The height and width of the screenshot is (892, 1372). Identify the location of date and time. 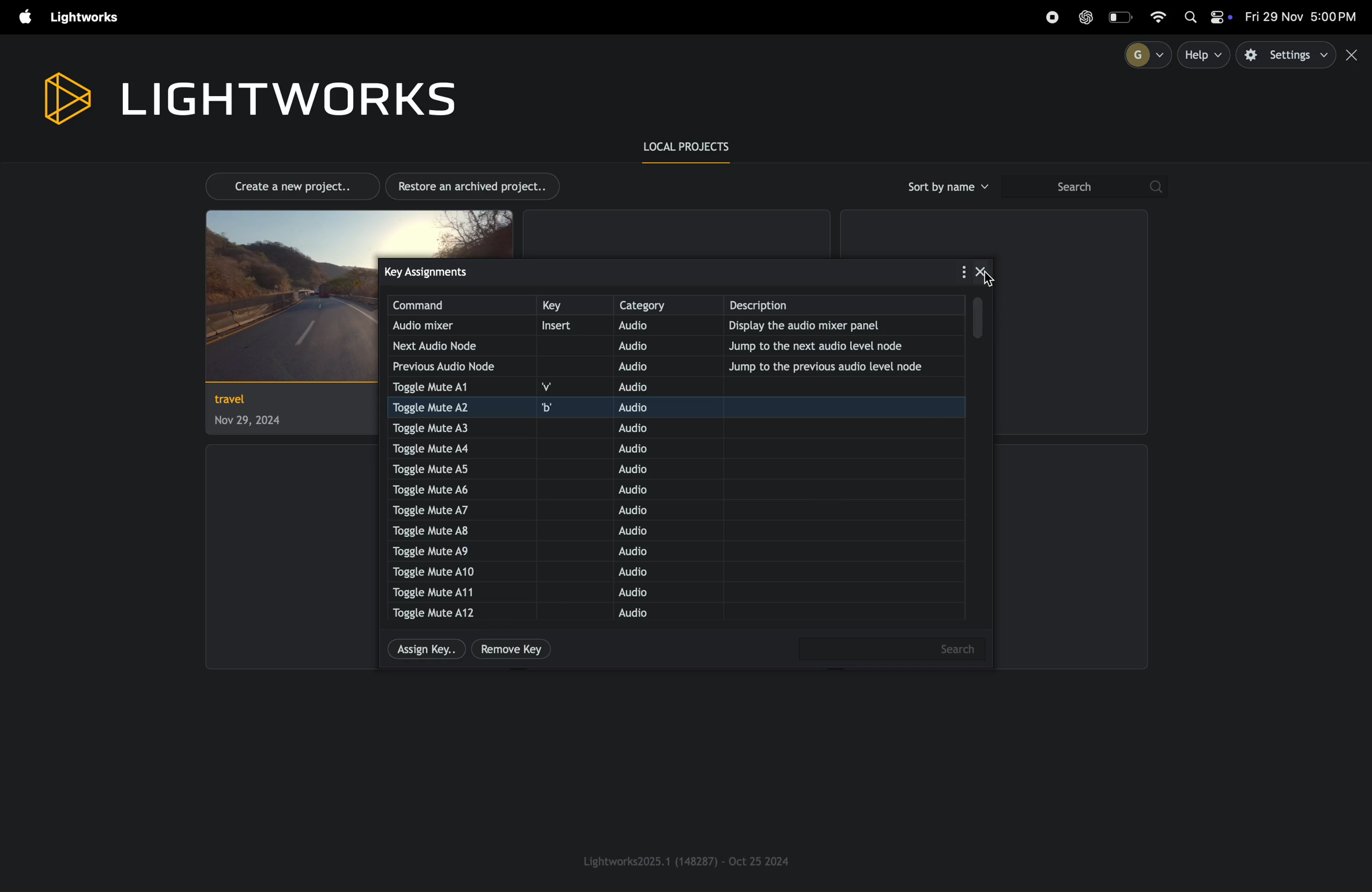
(1303, 17).